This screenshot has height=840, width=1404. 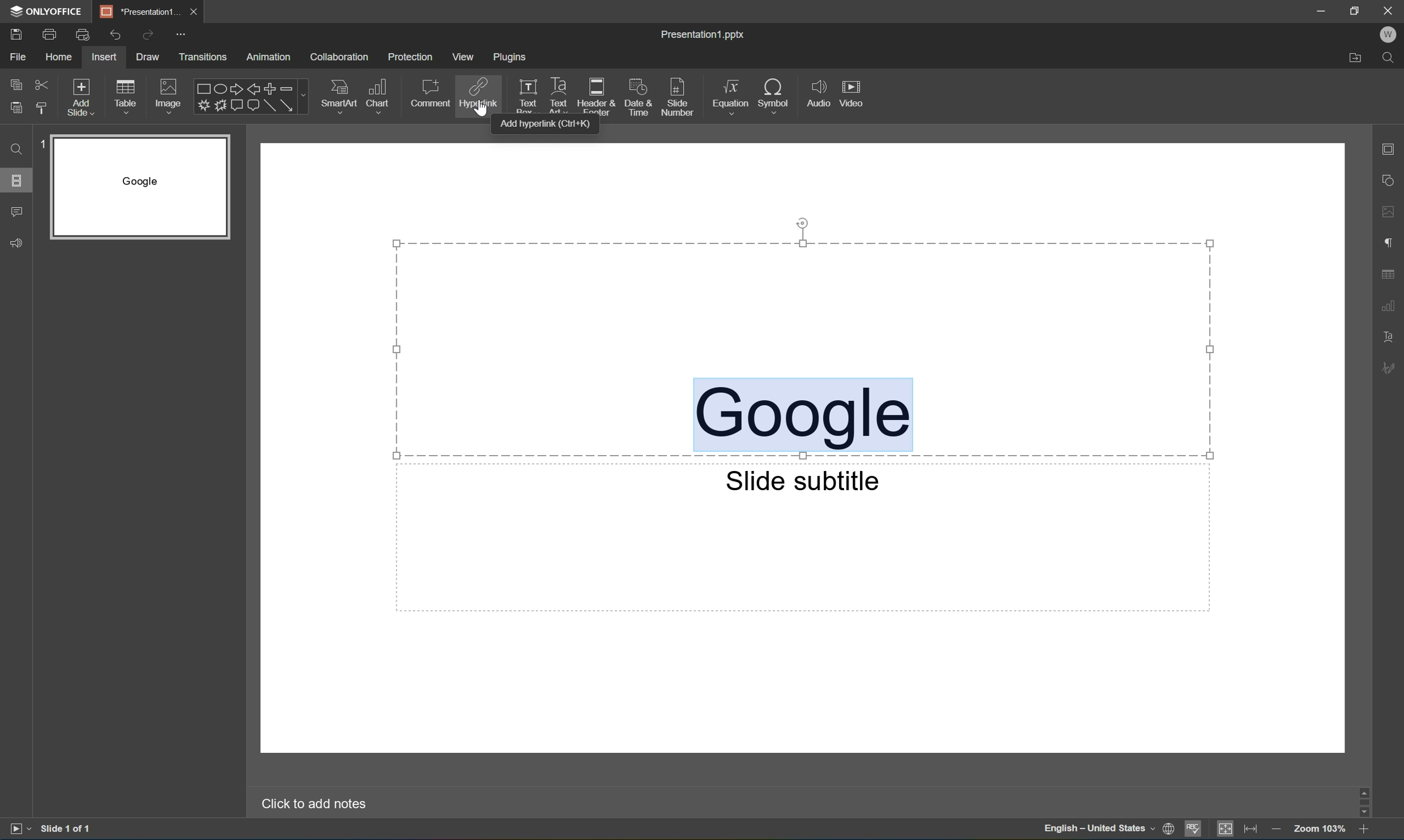 I want to click on Redo, so click(x=148, y=35).